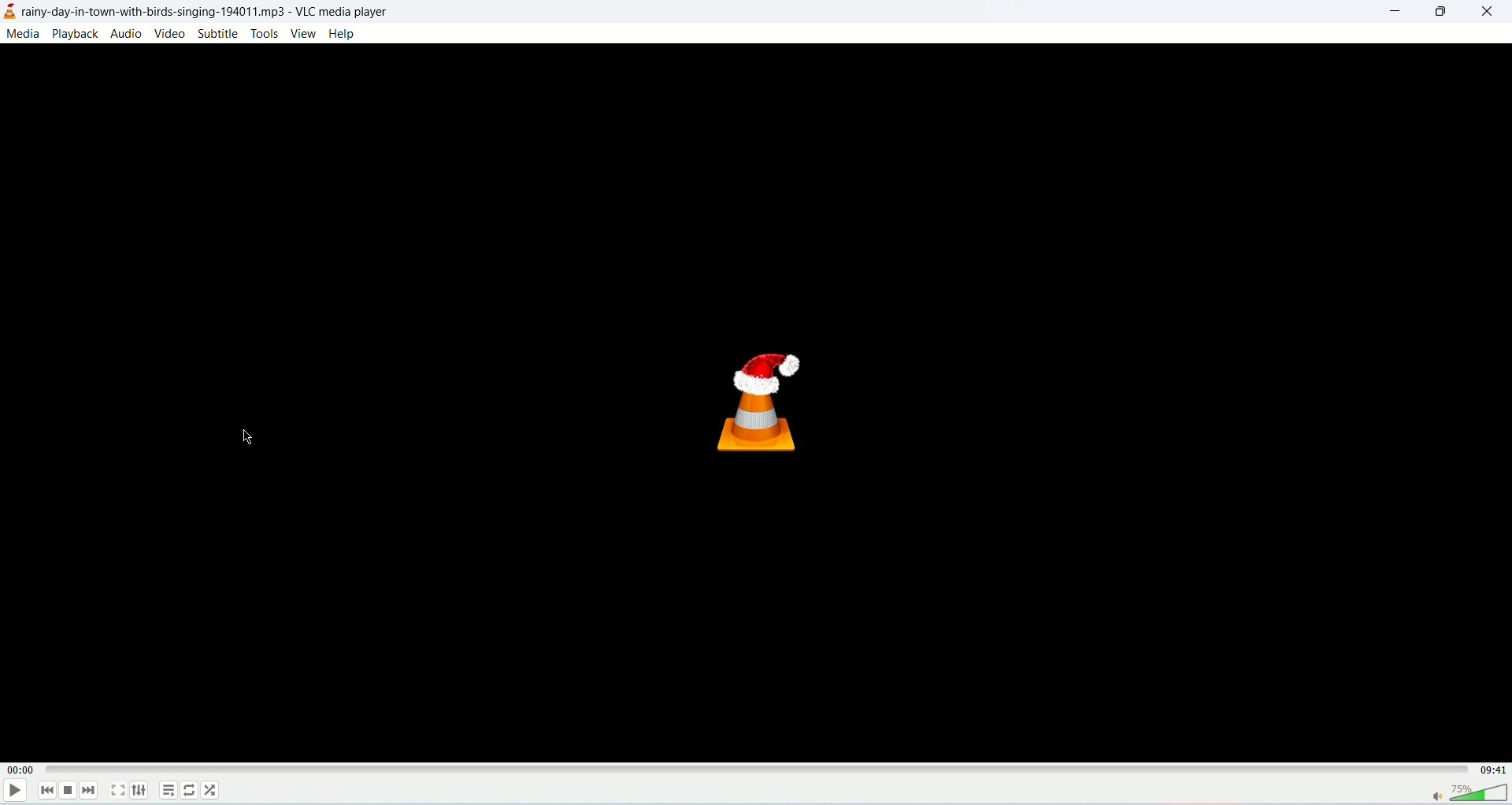 The width and height of the screenshot is (1512, 805). What do you see at coordinates (23, 34) in the screenshot?
I see `media` at bounding box center [23, 34].